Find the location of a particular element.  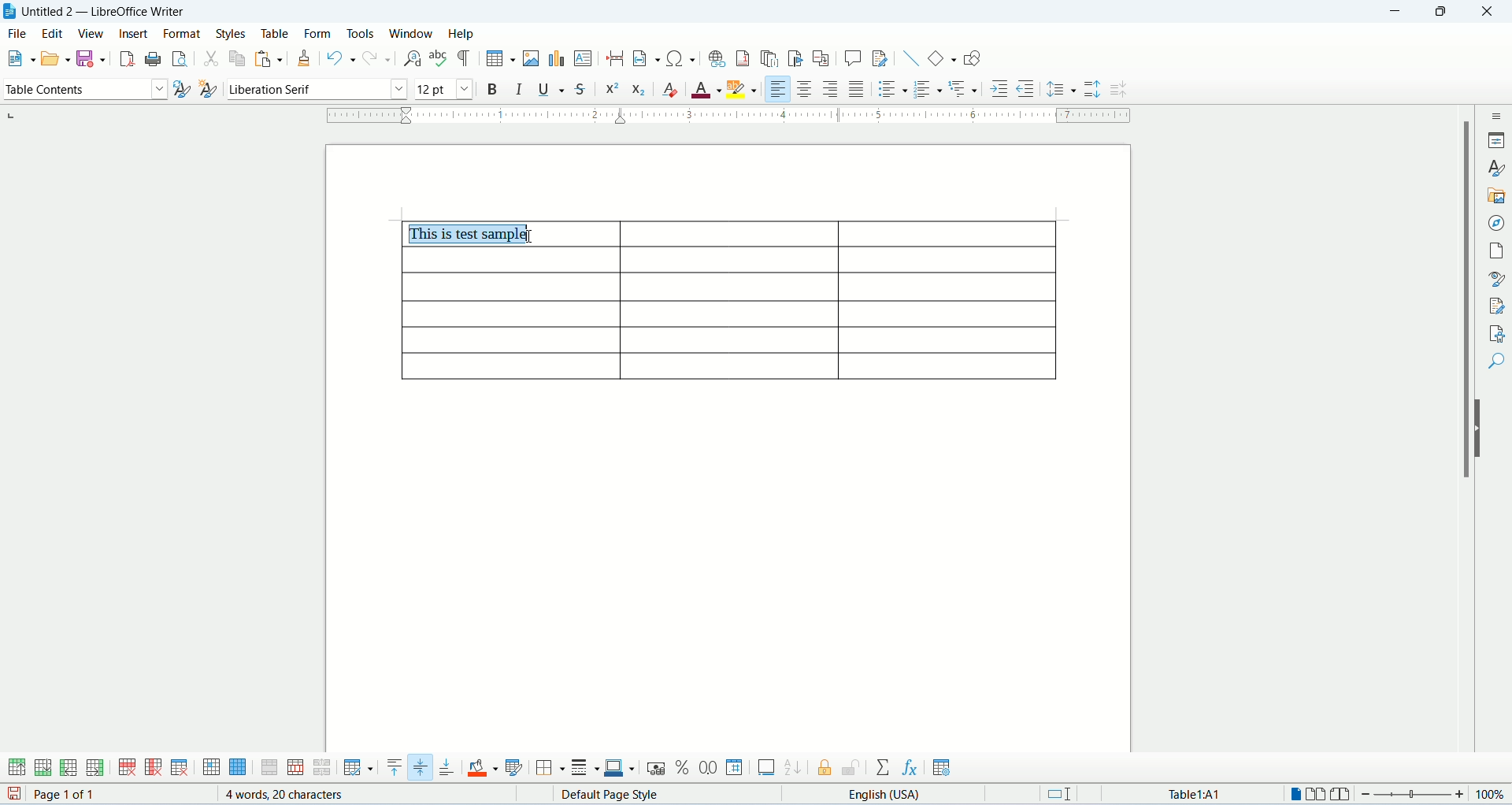

safe is located at coordinates (91, 58).